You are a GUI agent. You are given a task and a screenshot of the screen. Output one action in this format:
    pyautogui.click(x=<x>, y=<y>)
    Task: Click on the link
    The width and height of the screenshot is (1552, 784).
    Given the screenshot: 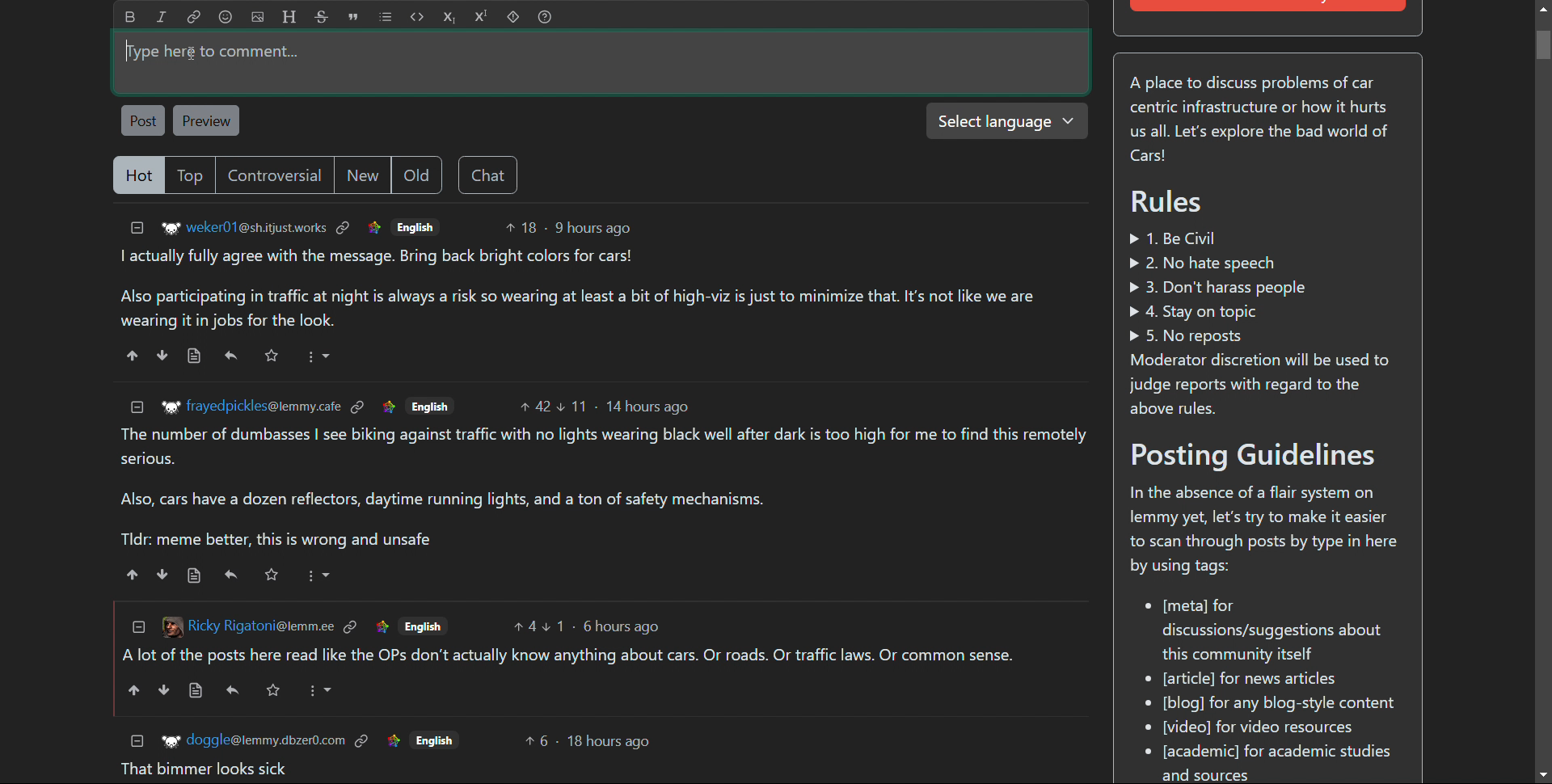 What is the action you would take?
    pyautogui.click(x=359, y=407)
    